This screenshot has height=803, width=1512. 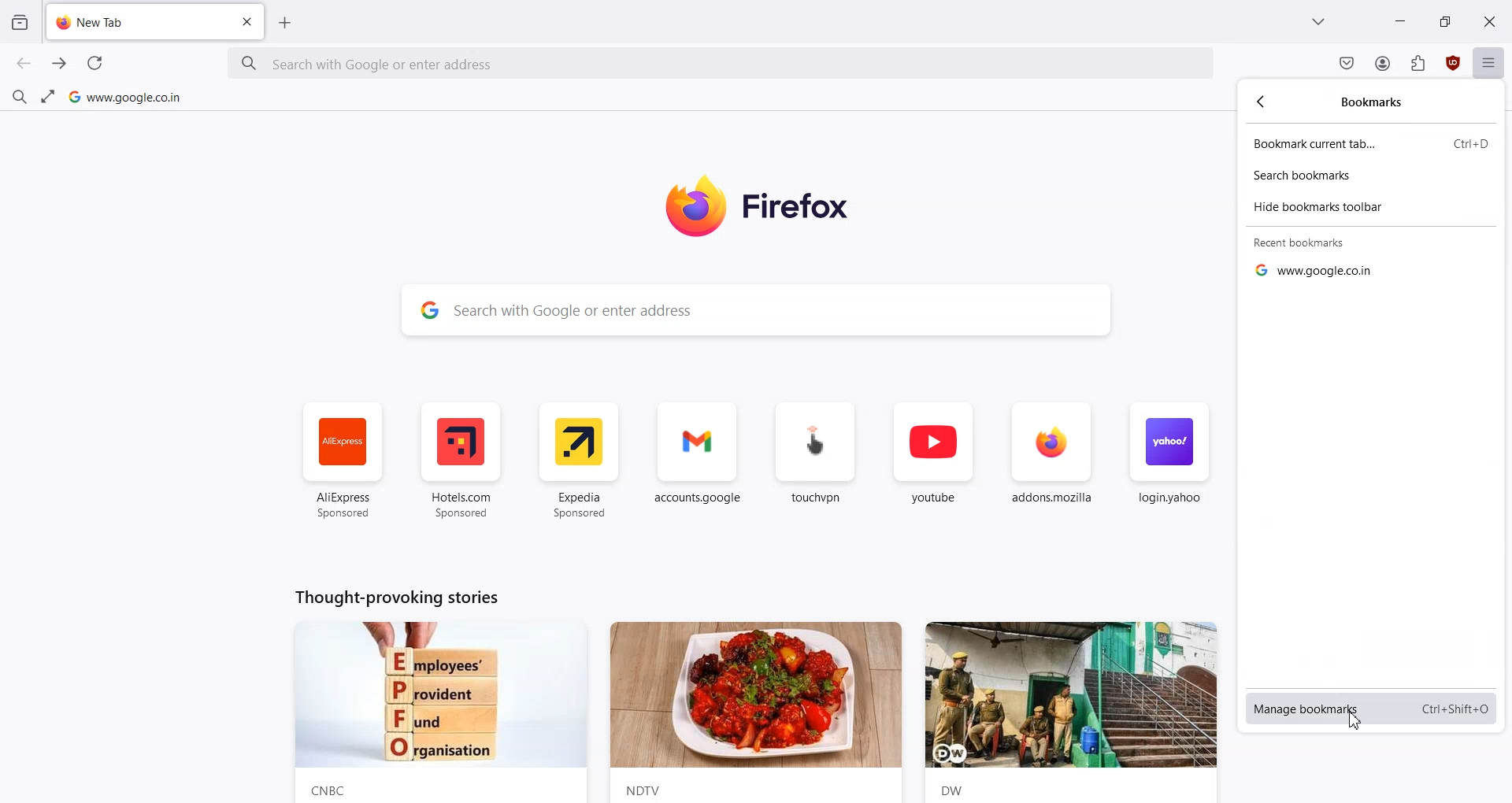 What do you see at coordinates (581, 461) in the screenshot?
I see `Expedia Sponsored` at bounding box center [581, 461].